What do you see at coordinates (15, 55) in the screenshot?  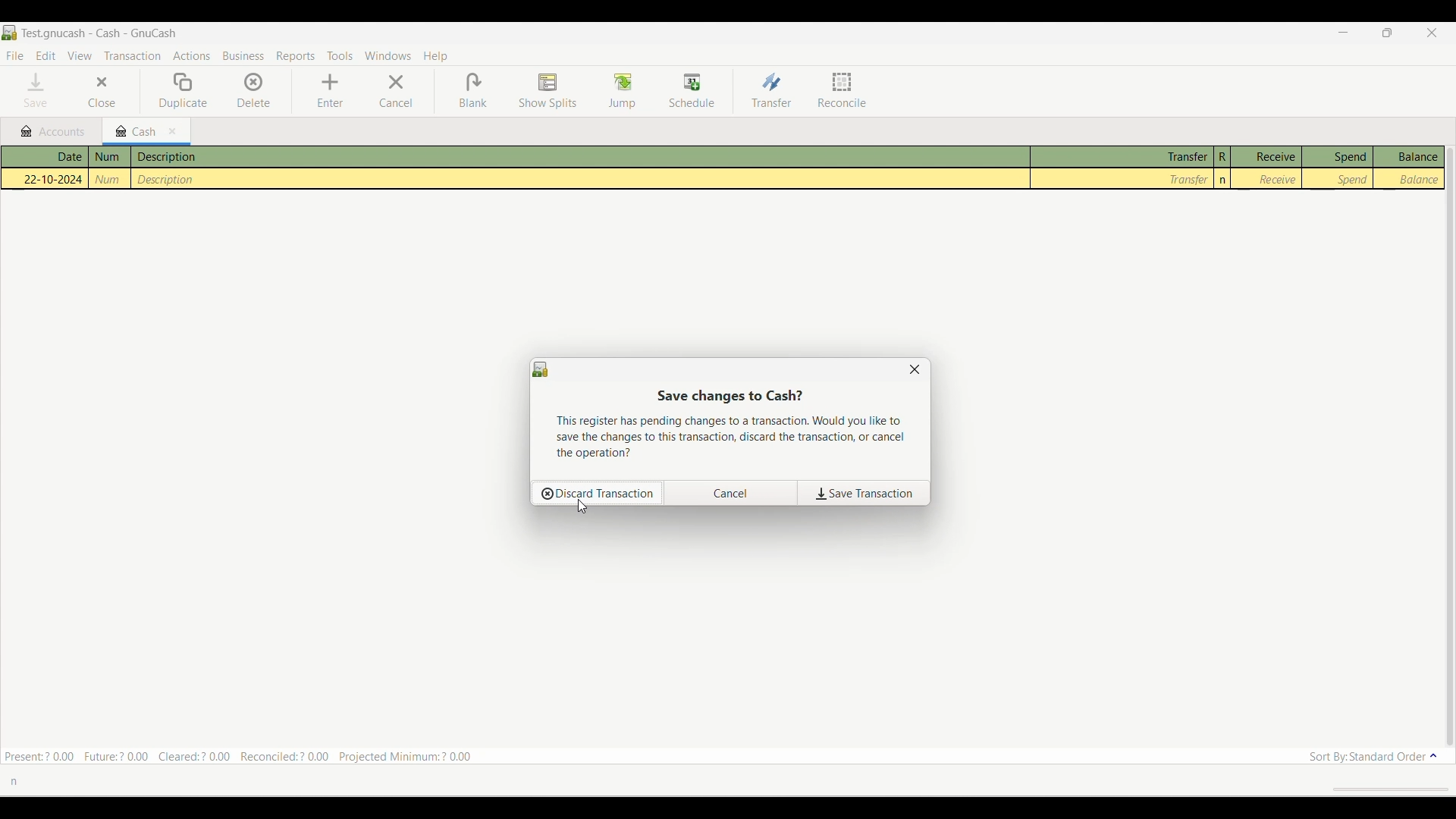 I see `File` at bounding box center [15, 55].